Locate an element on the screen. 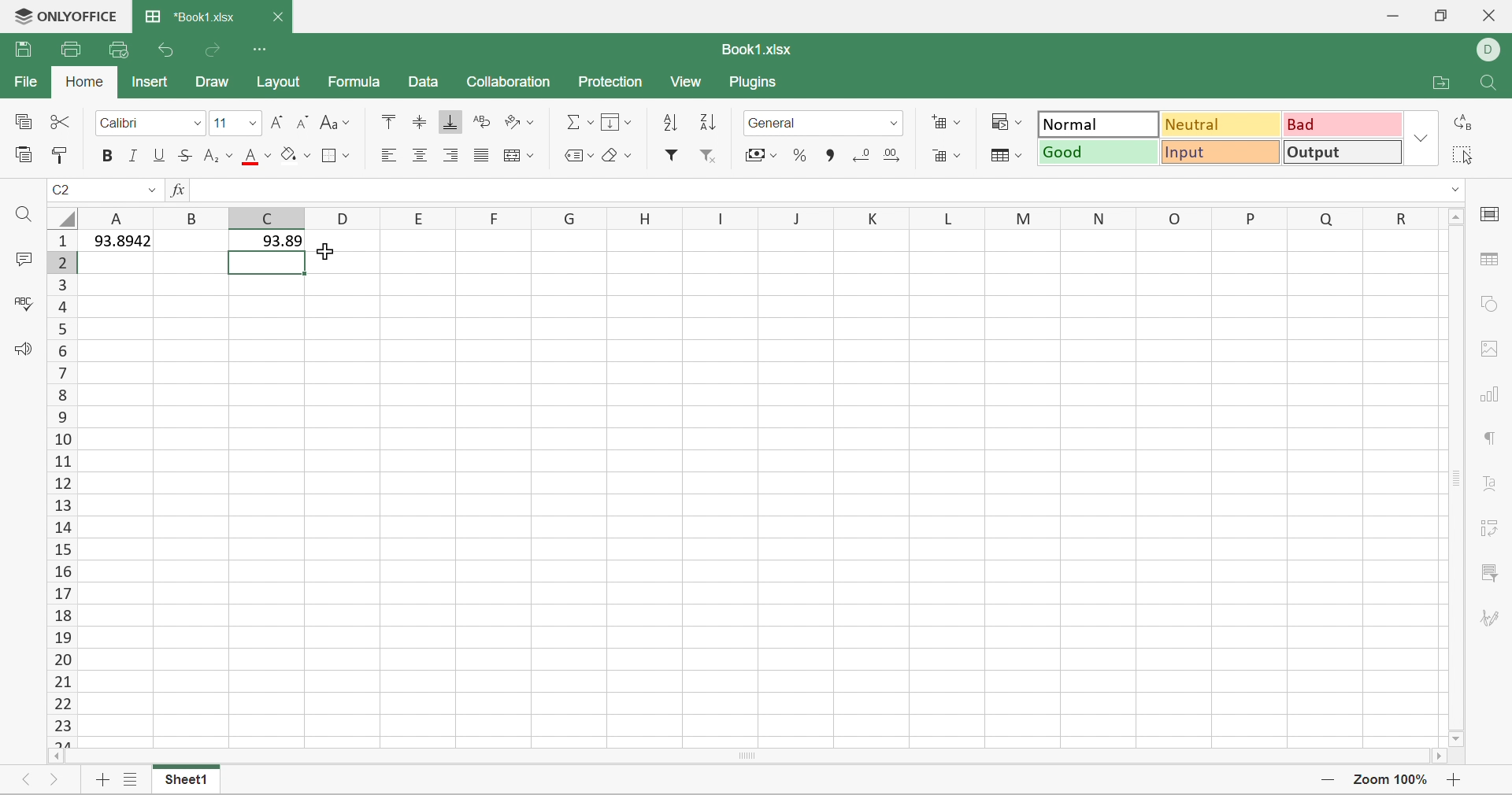  Clear is located at coordinates (617, 156).